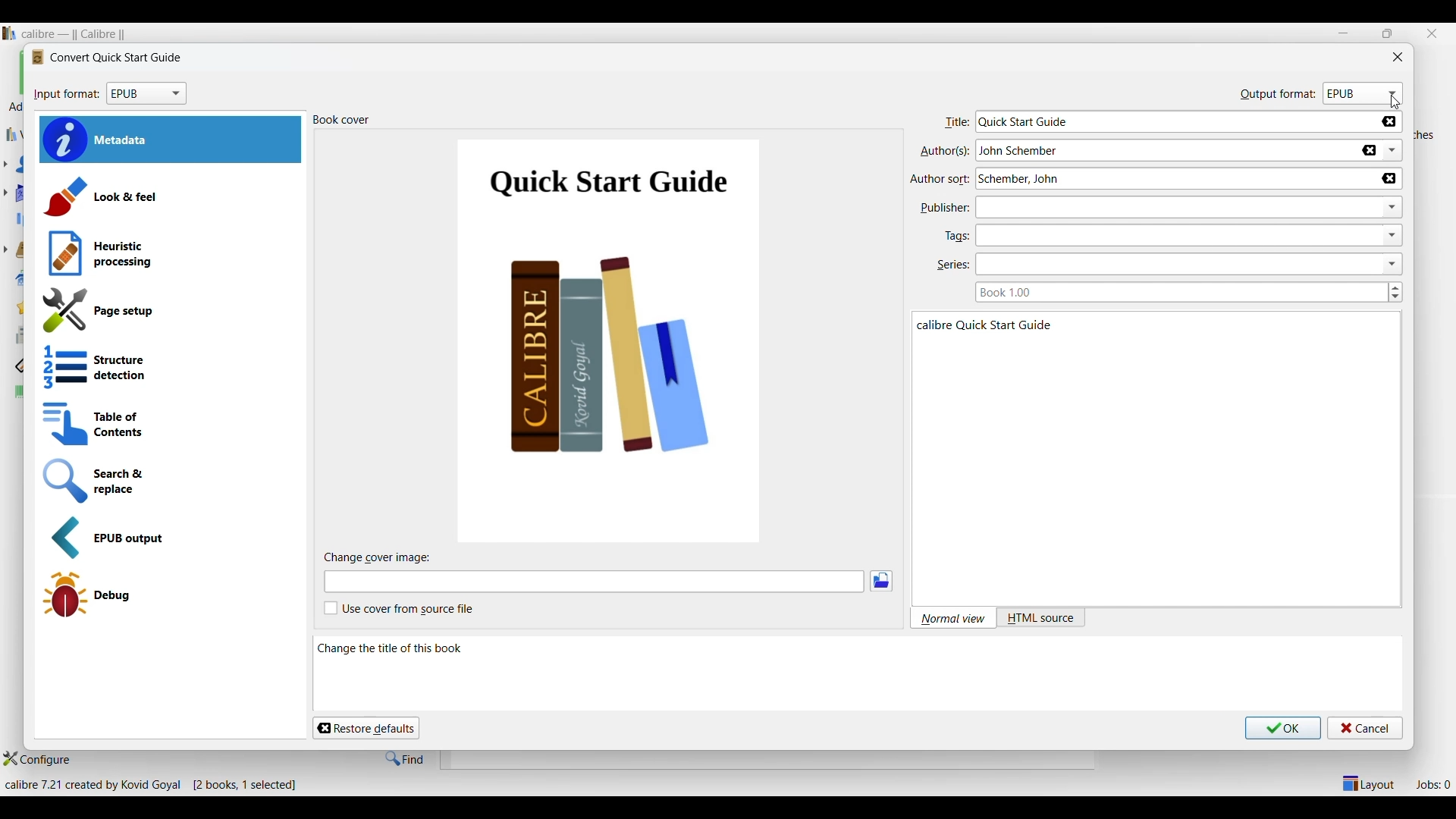 The width and height of the screenshot is (1456, 819). I want to click on Heuristic processing, so click(170, 254).